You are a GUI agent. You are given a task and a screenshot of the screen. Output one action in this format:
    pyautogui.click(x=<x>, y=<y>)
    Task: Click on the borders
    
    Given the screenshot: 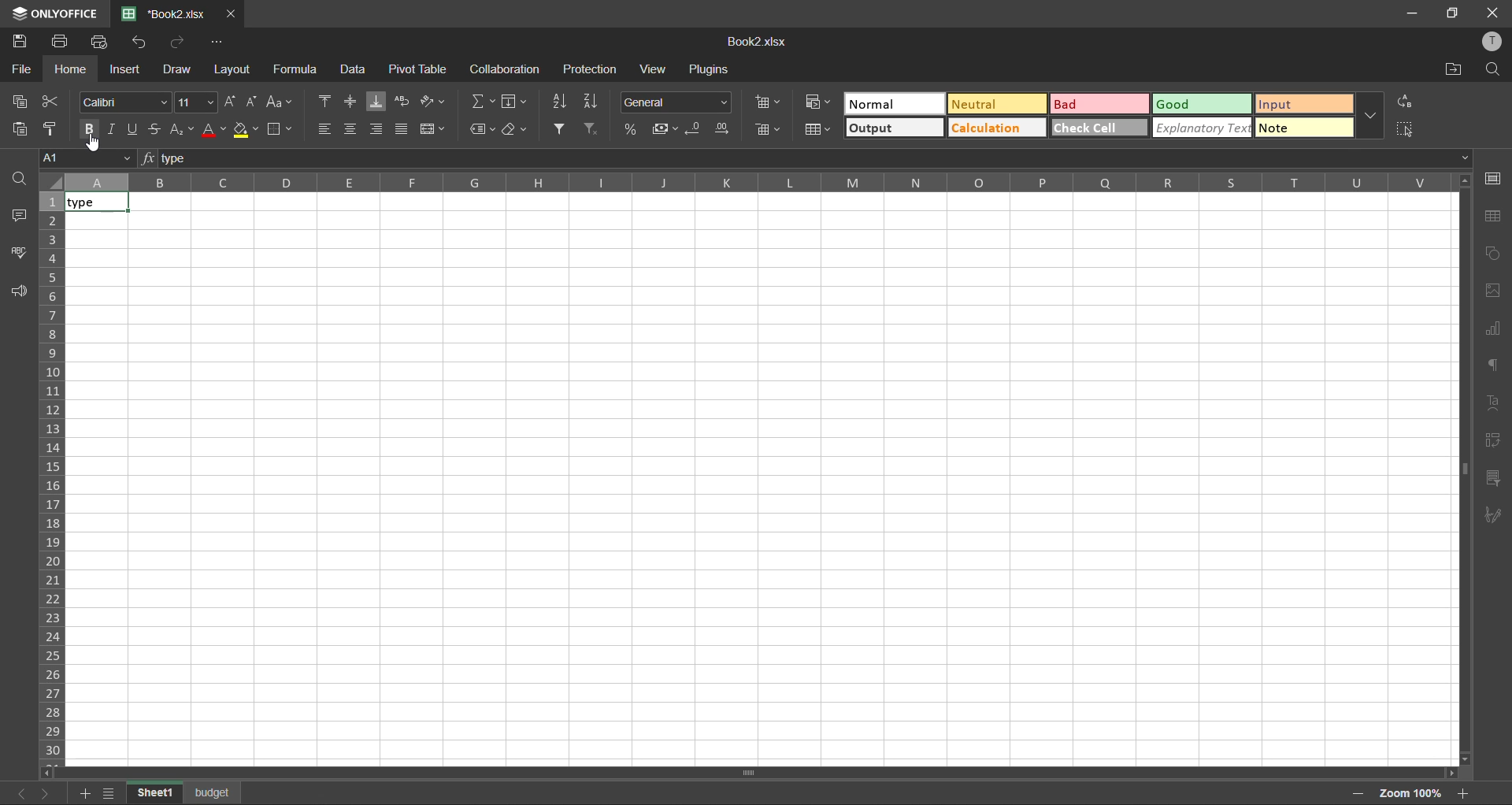 What is the action you would take?
    pyautogui.click(x=279, y=132)
    